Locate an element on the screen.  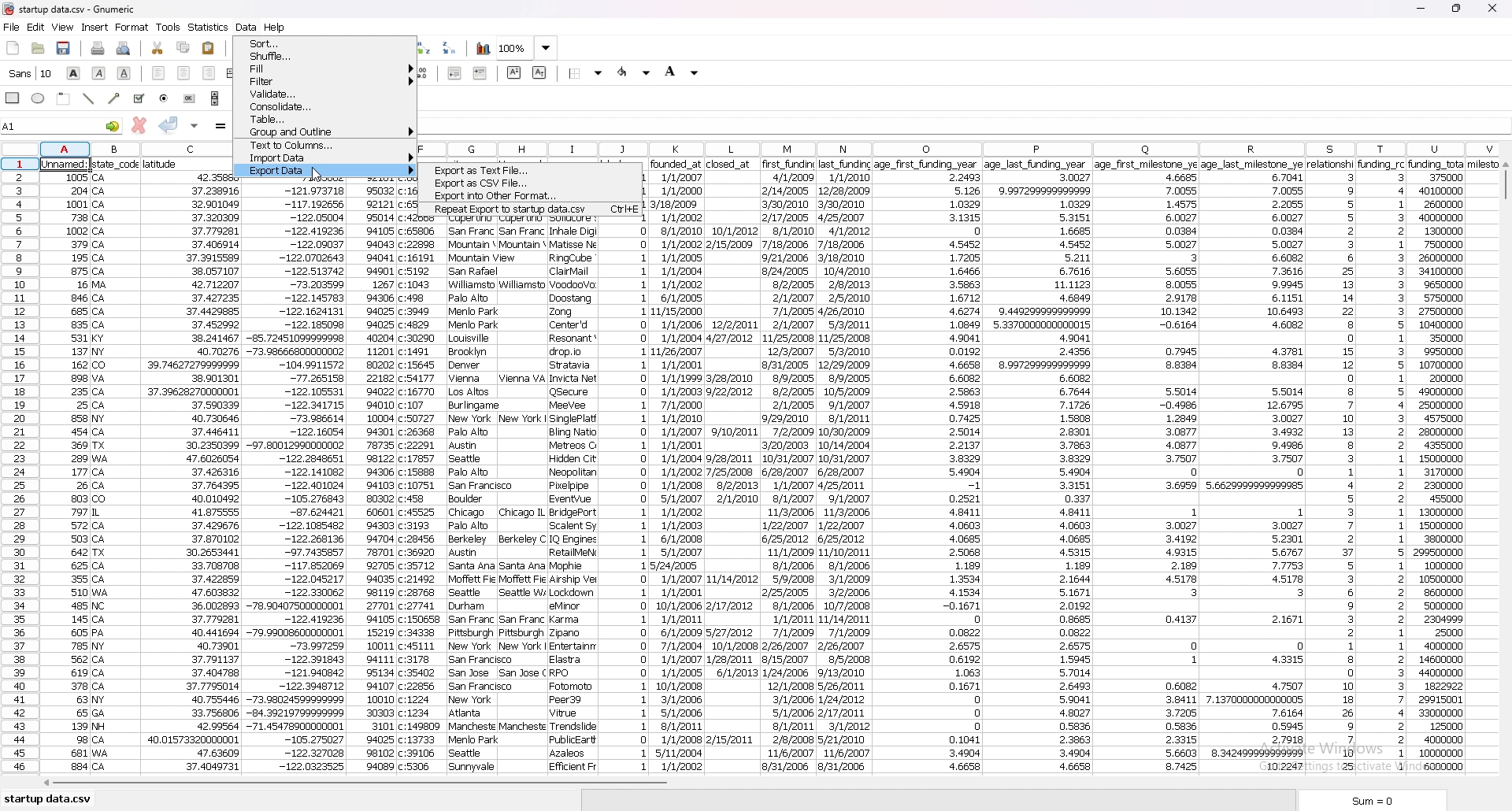
sum is located at coordinates (1377, 800).